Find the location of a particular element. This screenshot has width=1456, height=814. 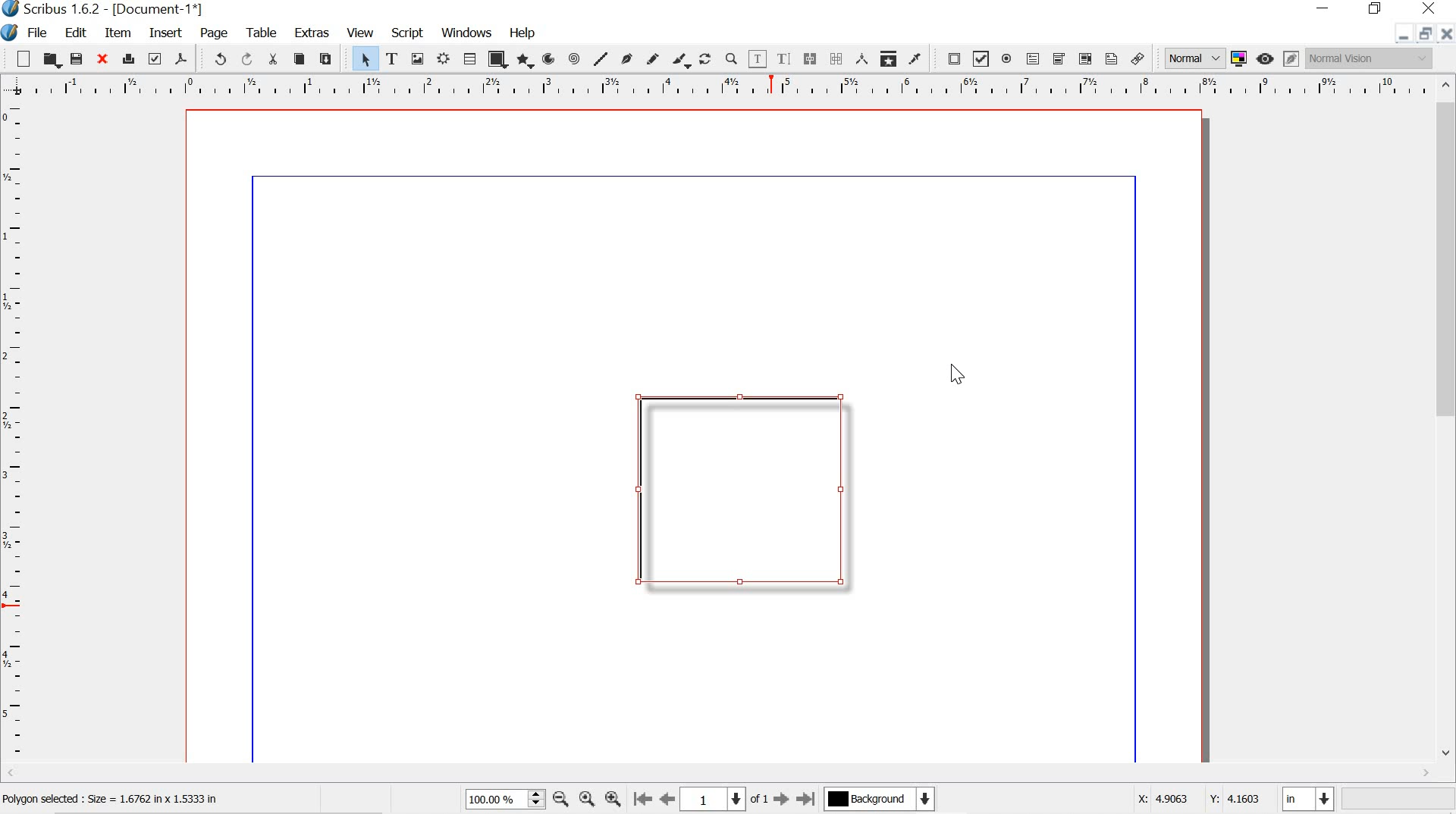

Polygon selected : Size = 1.6762 in x 1.5333 in is located at coordinates (115, 800).